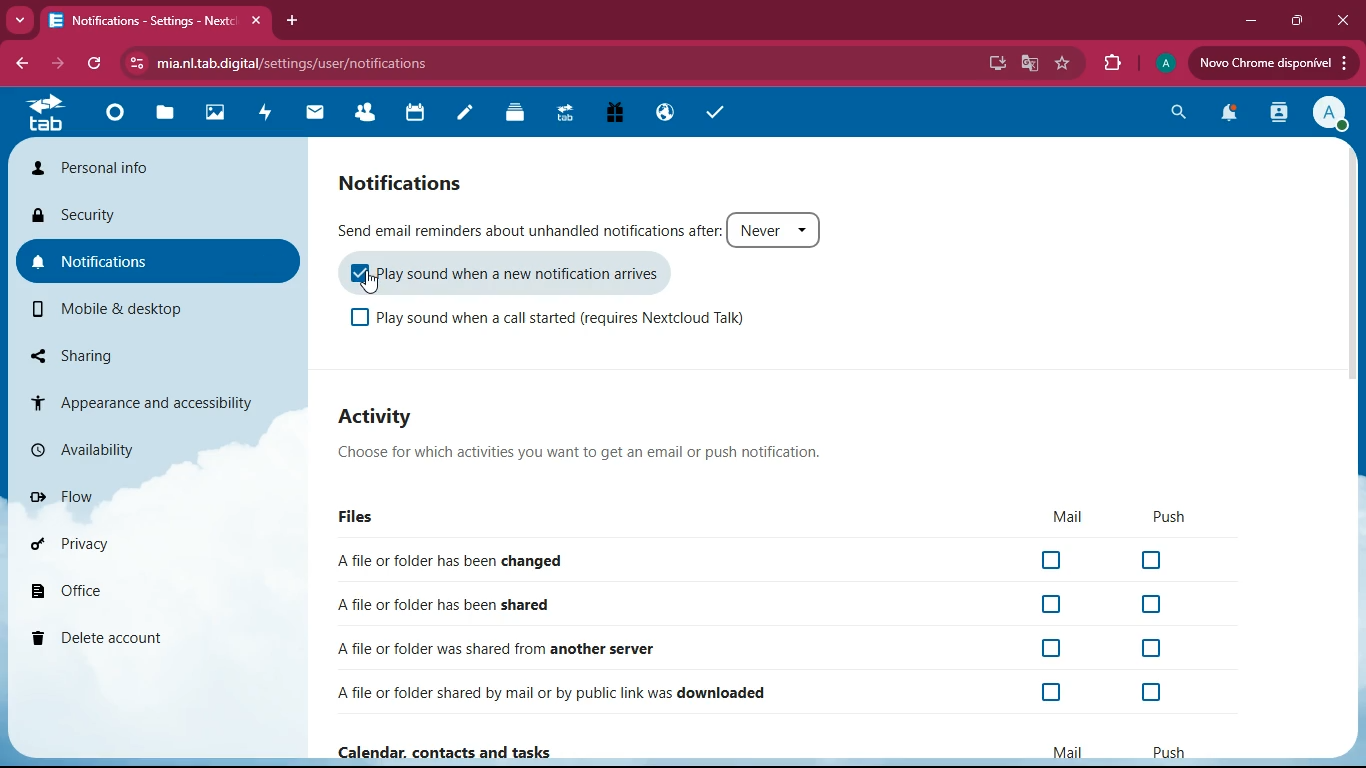  I want to click on flow, so click(143, 496).